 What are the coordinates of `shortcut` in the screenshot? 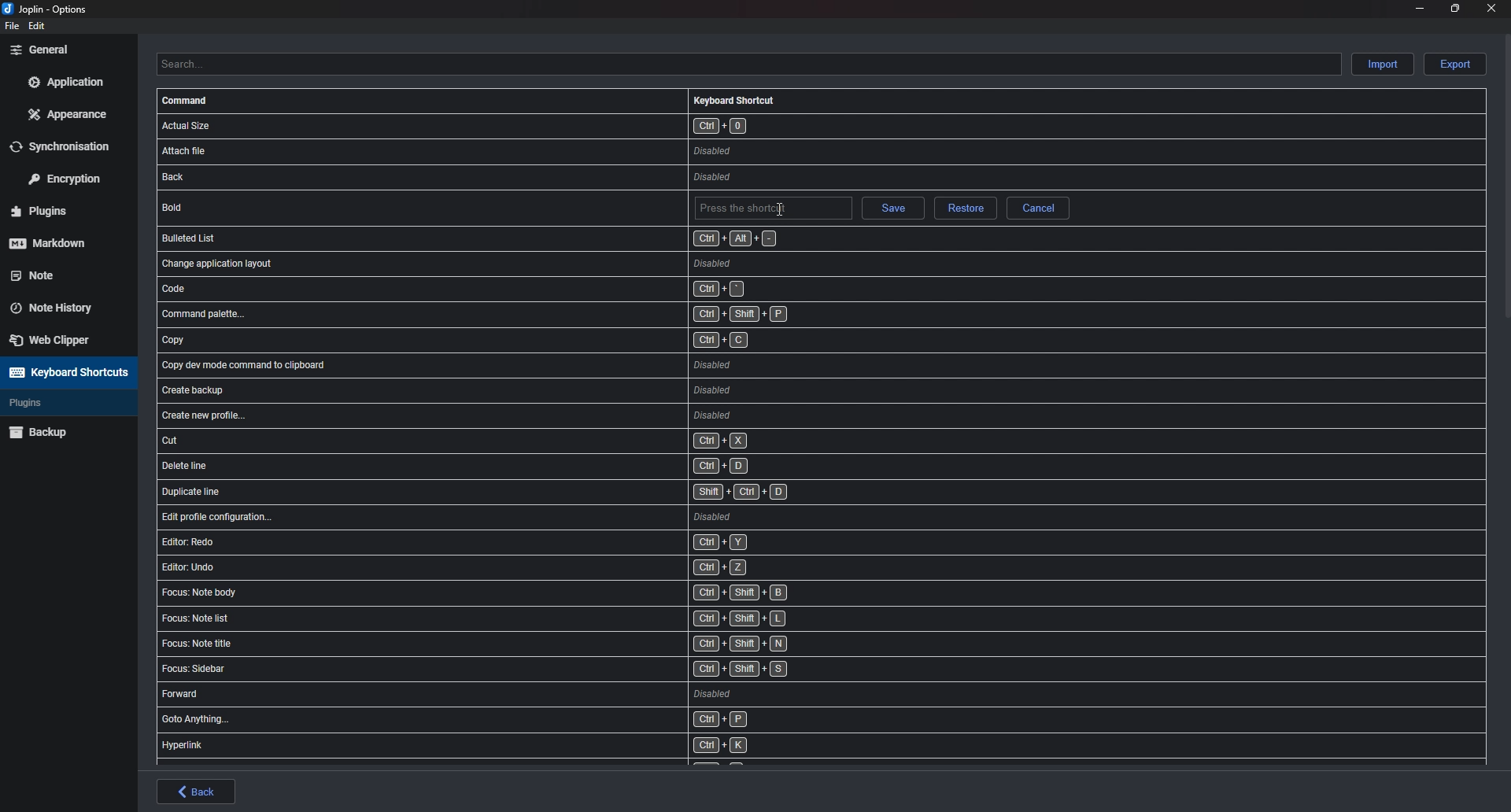 It's located at (539, 416).